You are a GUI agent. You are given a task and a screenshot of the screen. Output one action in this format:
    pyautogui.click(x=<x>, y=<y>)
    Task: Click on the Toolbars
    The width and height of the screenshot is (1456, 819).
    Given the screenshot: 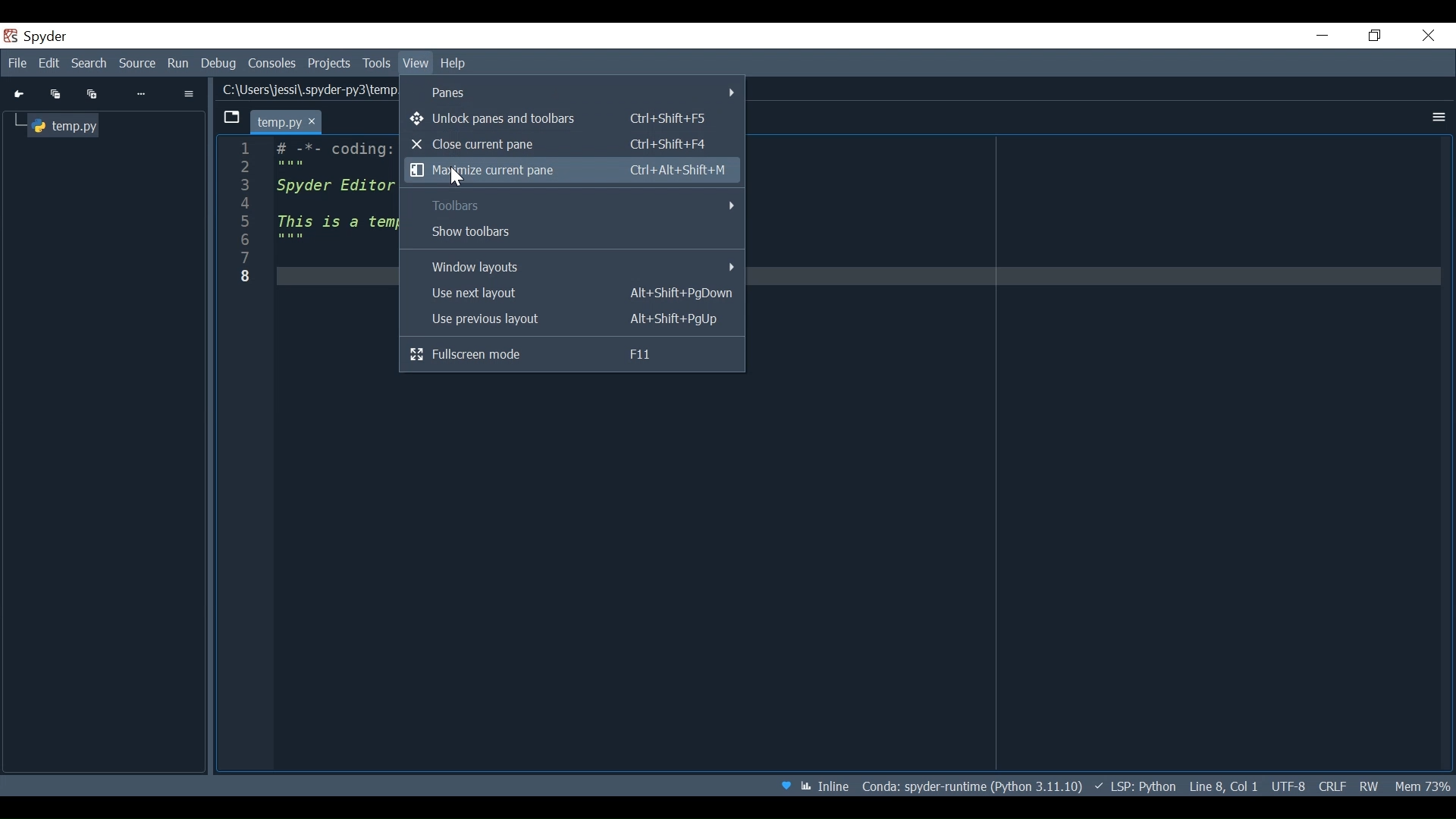 What is the action you would take?
    pyautogui.click(x=572, y=206)
    